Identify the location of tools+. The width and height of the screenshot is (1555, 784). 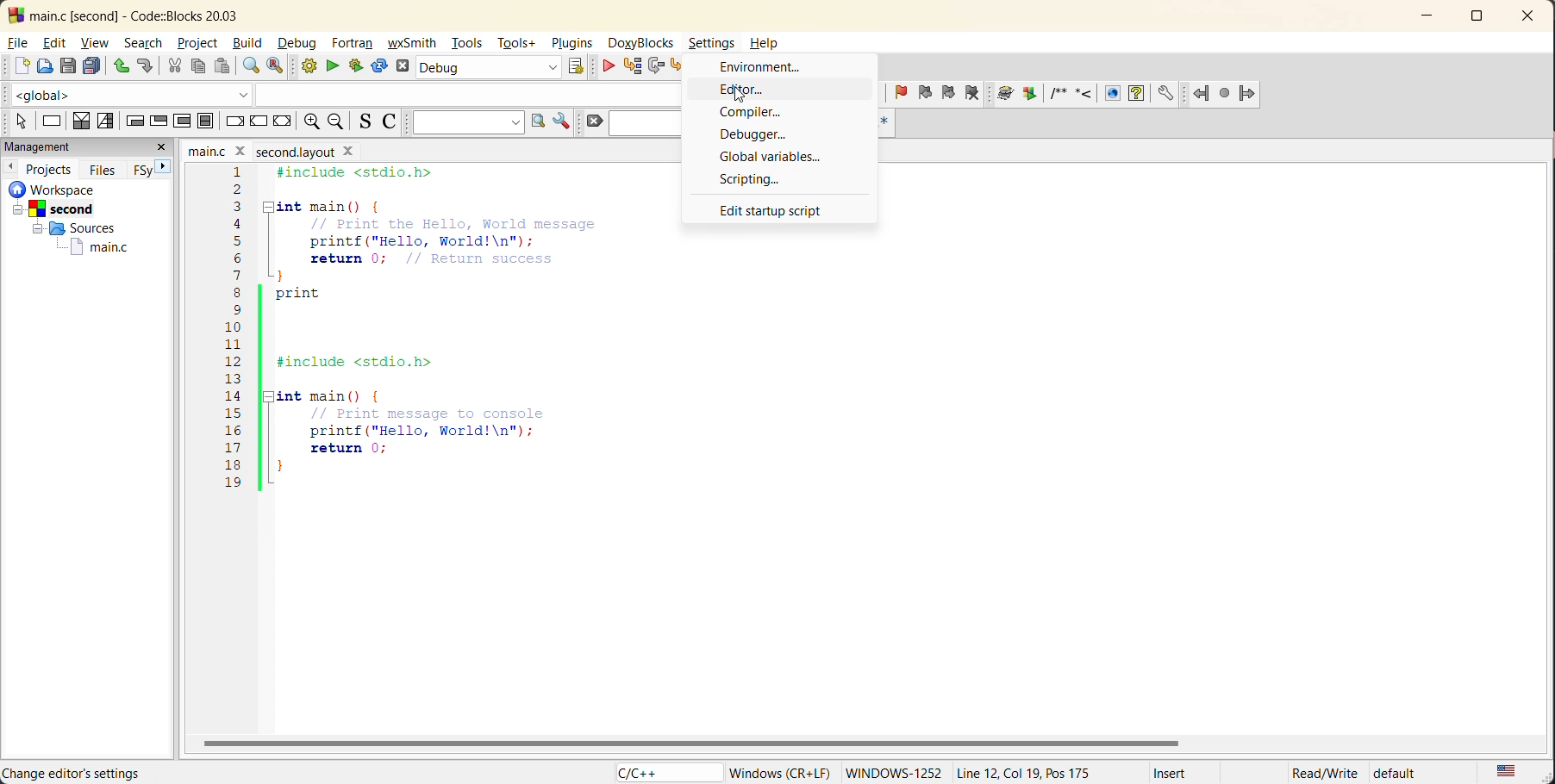
(518, 43).